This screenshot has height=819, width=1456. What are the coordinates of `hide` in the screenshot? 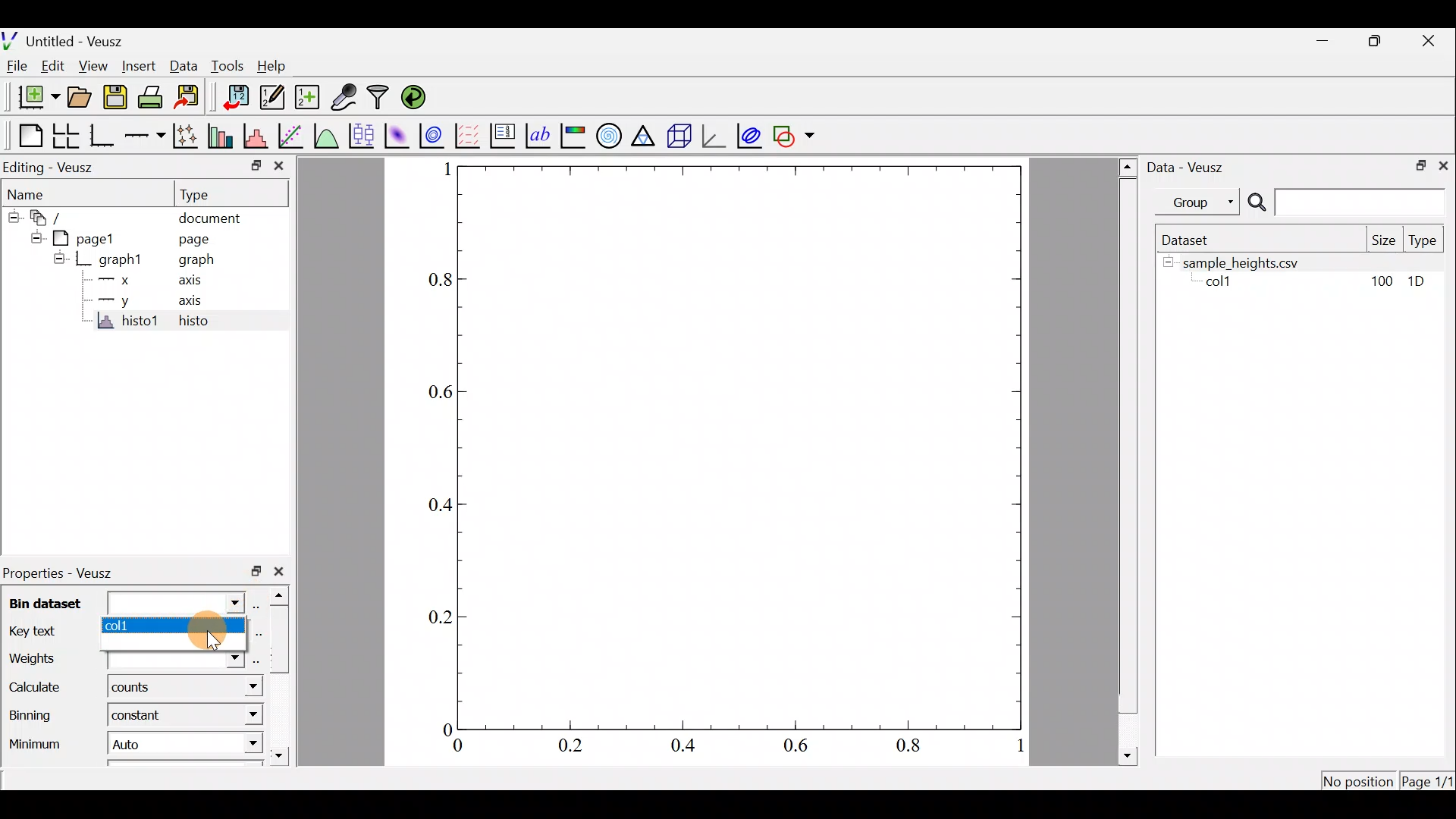 It's located at (58, 258).